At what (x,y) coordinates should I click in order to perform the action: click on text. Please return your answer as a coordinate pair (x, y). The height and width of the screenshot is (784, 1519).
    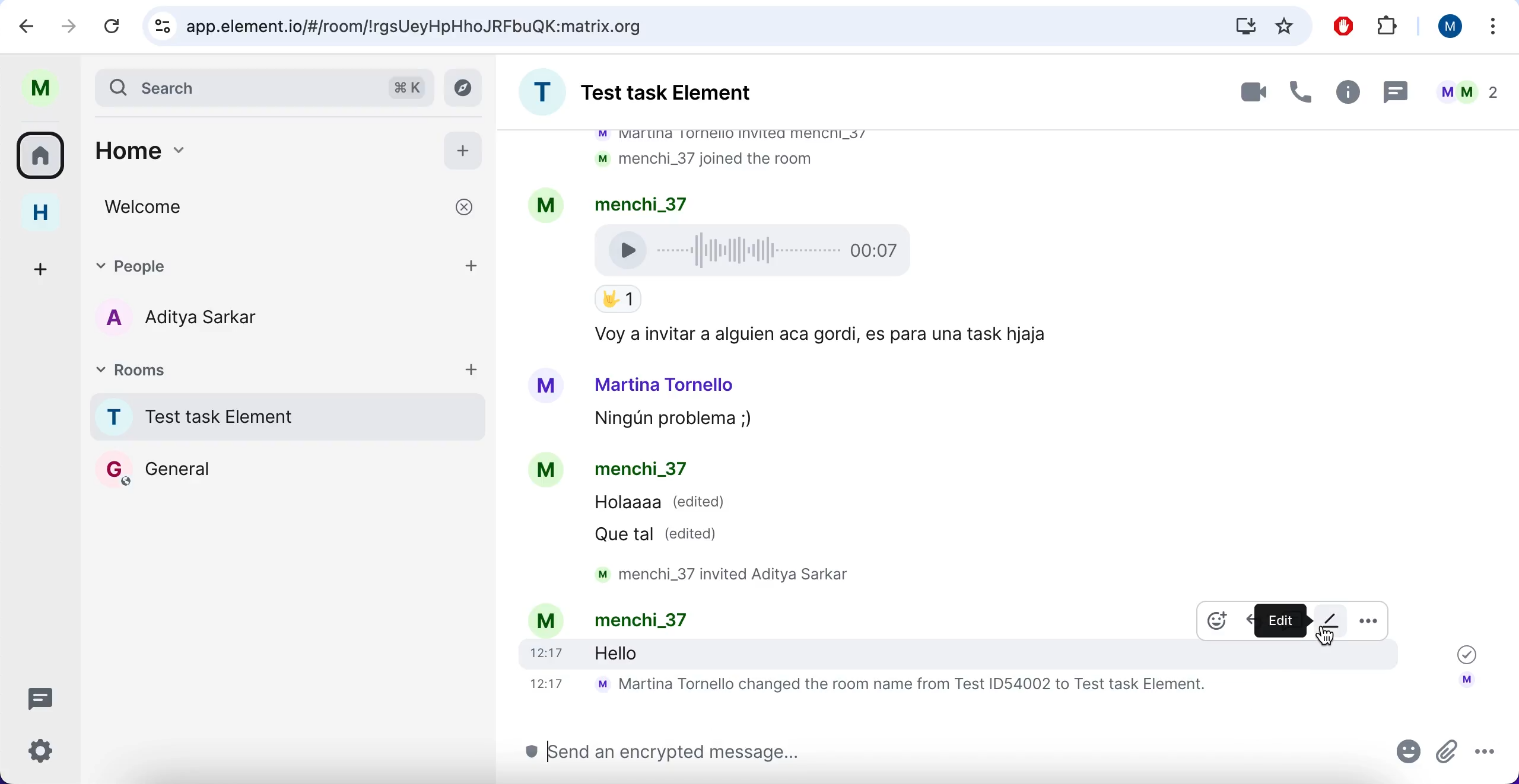
    Looking at the image, I should click on (684, 620).